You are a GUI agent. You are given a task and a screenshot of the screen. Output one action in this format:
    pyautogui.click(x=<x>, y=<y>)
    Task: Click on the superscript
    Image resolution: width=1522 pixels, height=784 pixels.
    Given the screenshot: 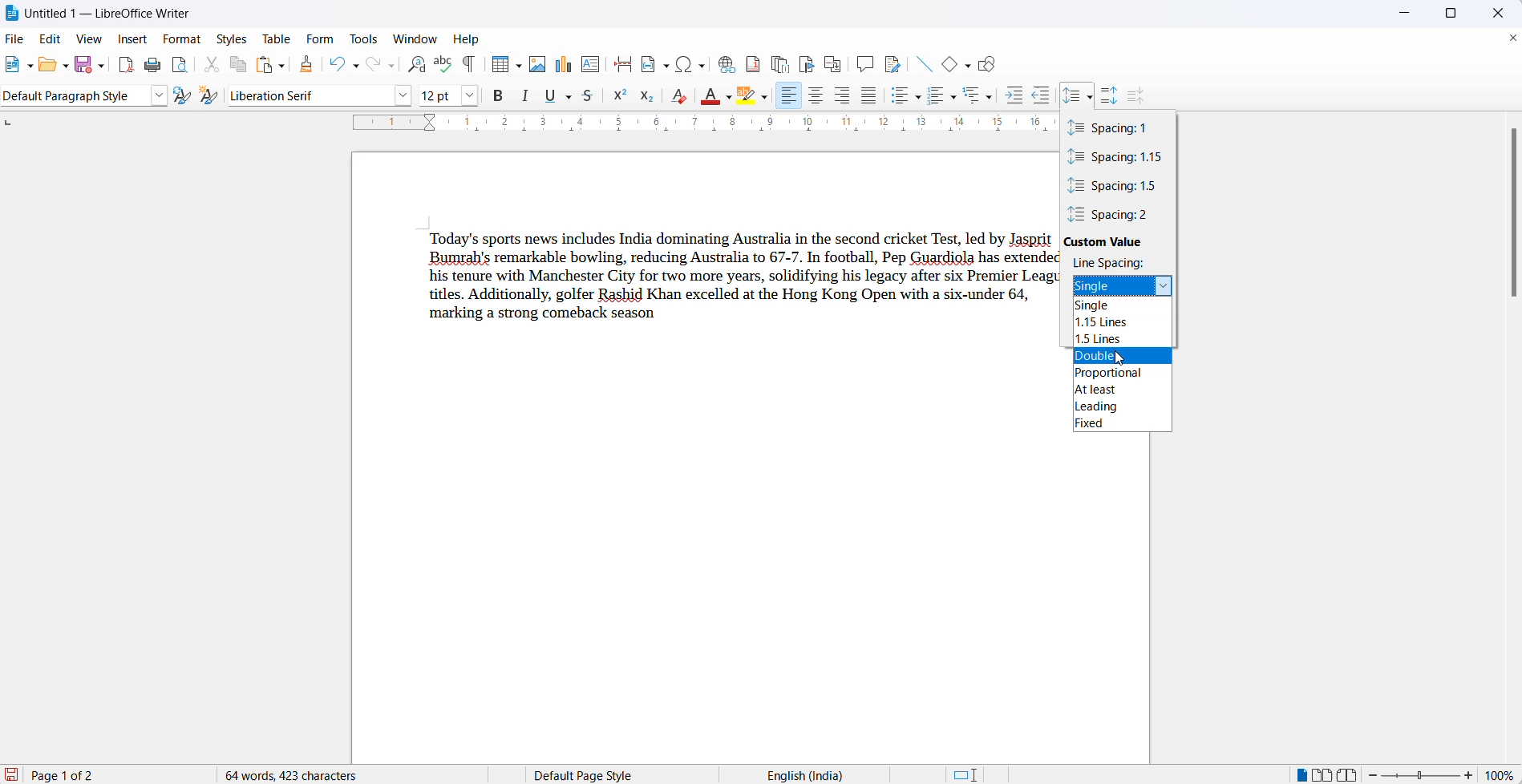 What is the action you would take?
    pyautogui.click(x=620, y=99)
    